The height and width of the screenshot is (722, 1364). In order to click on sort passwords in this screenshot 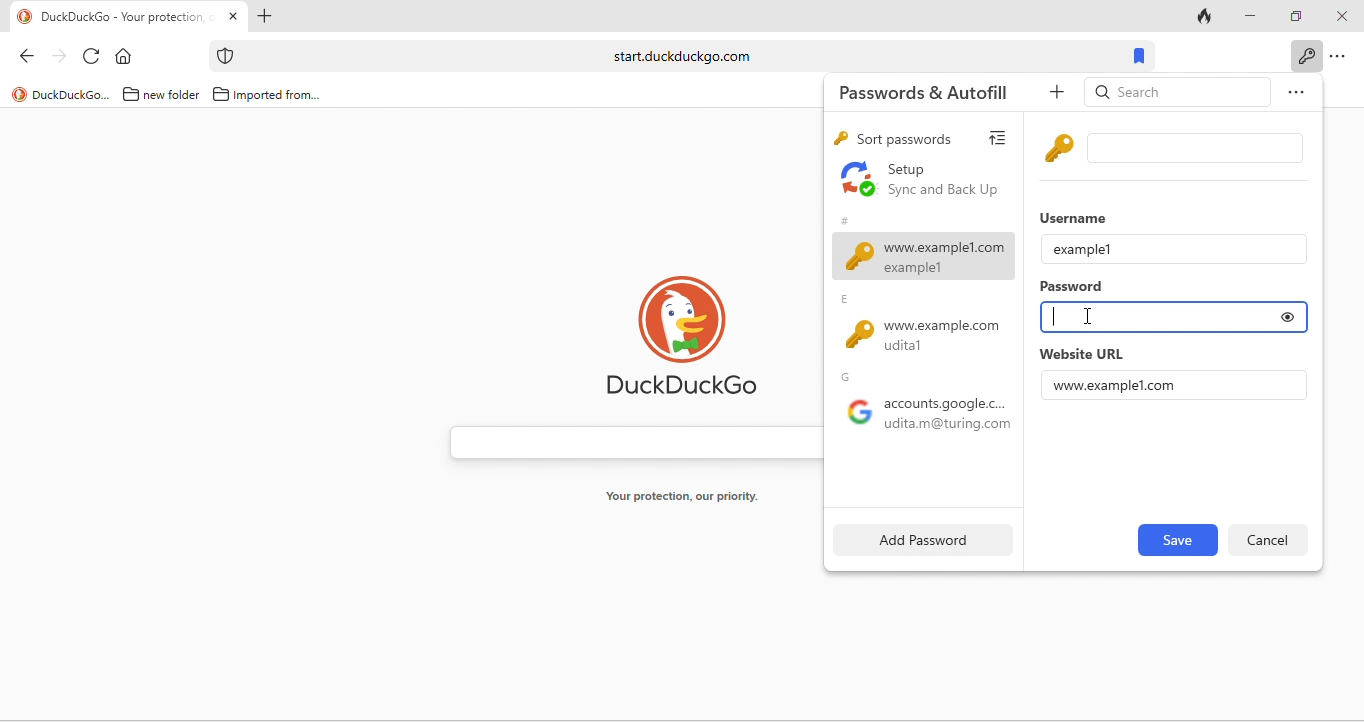, I will do `click(905, 139)`.